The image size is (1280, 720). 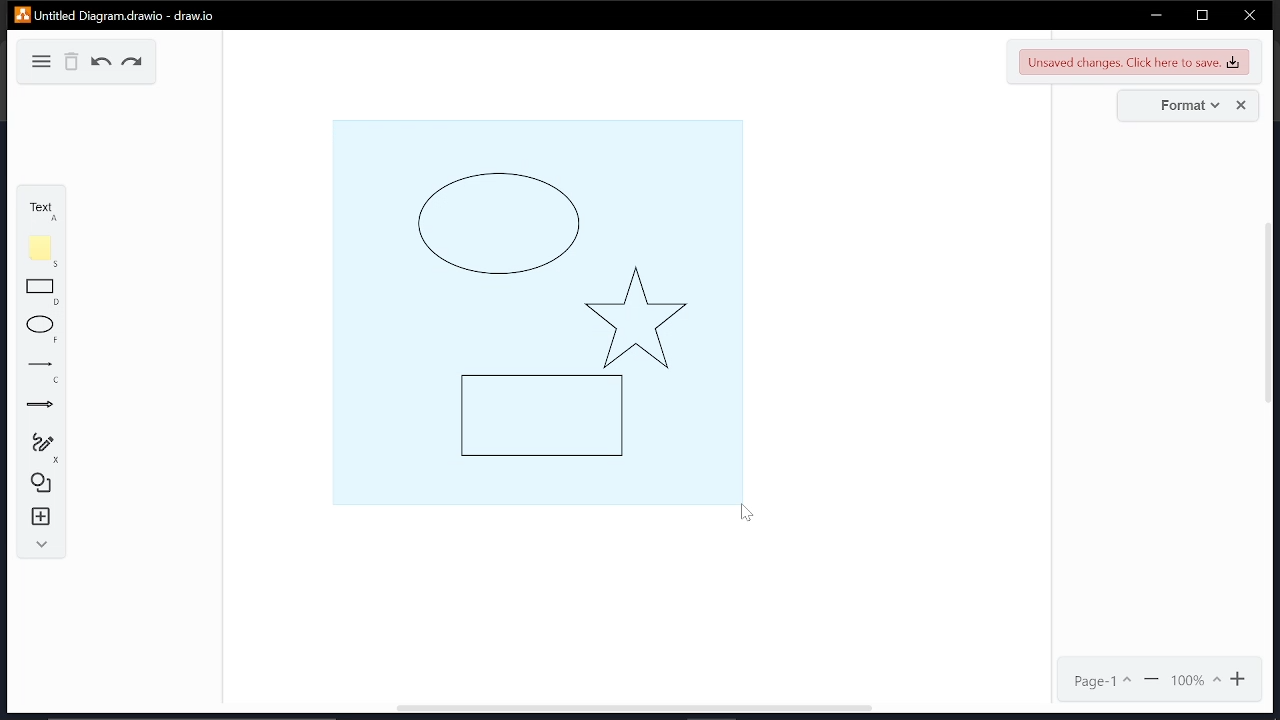 What do you see at coordinates (534, 309) in the screenshot?
I see `selected diagrams` at bounding box center [534, 309].